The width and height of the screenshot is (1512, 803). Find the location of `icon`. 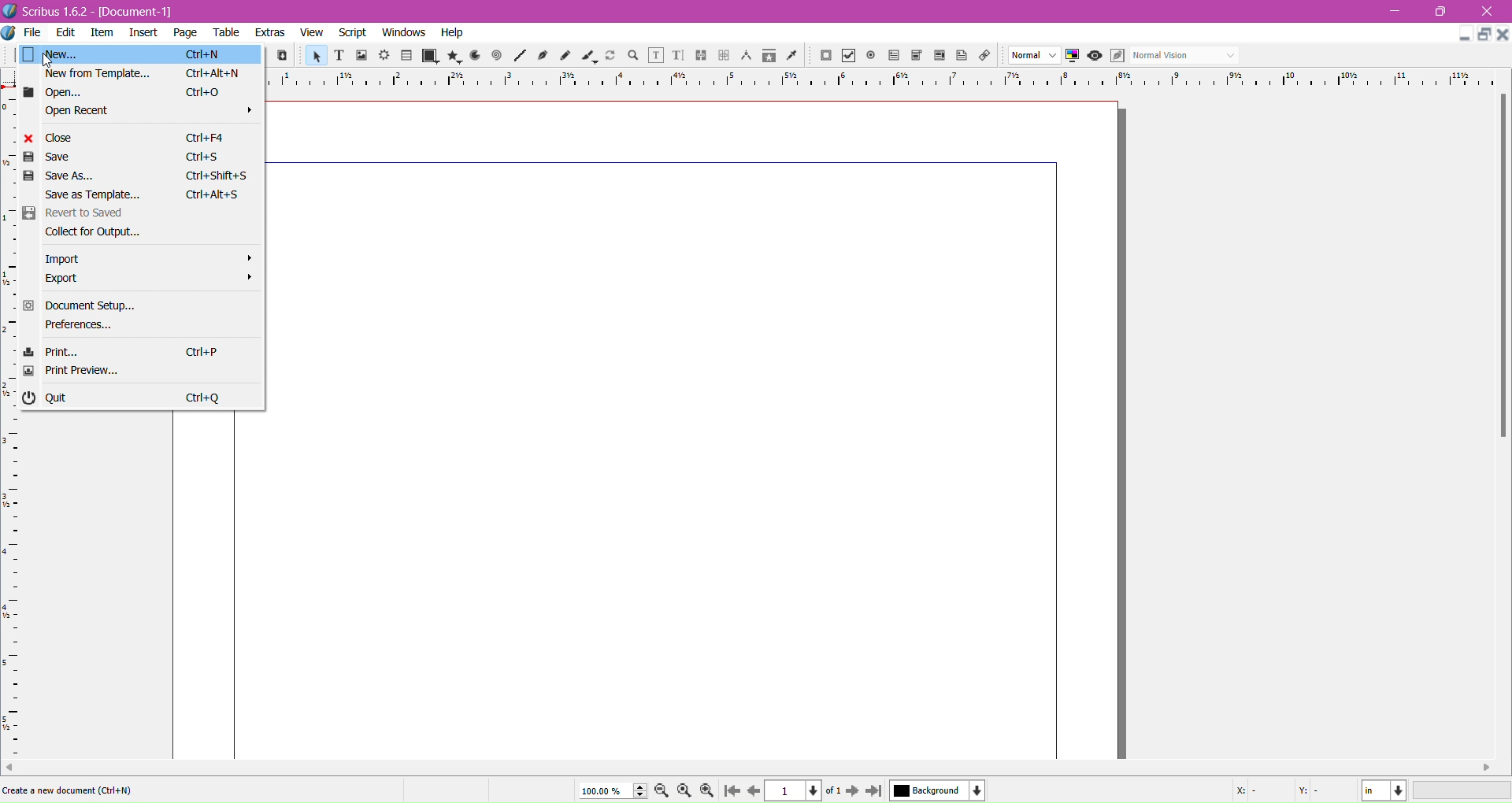

icon is located at coordinates (914, 55).